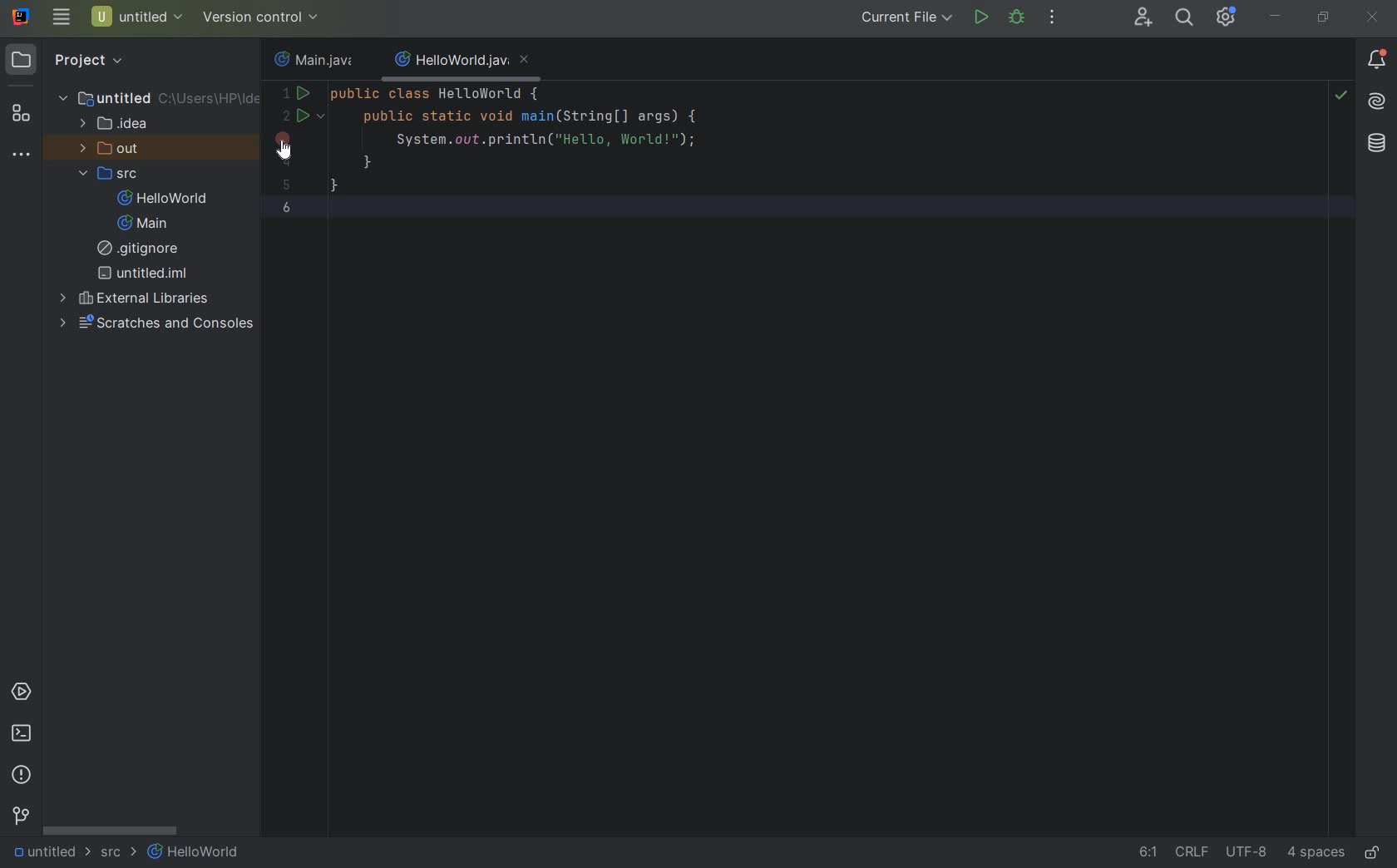 This screenshot has height=868, width=1397. Describe the element at coordinates (109, 831) in the screenshot. I see `scrollbar` at that location.